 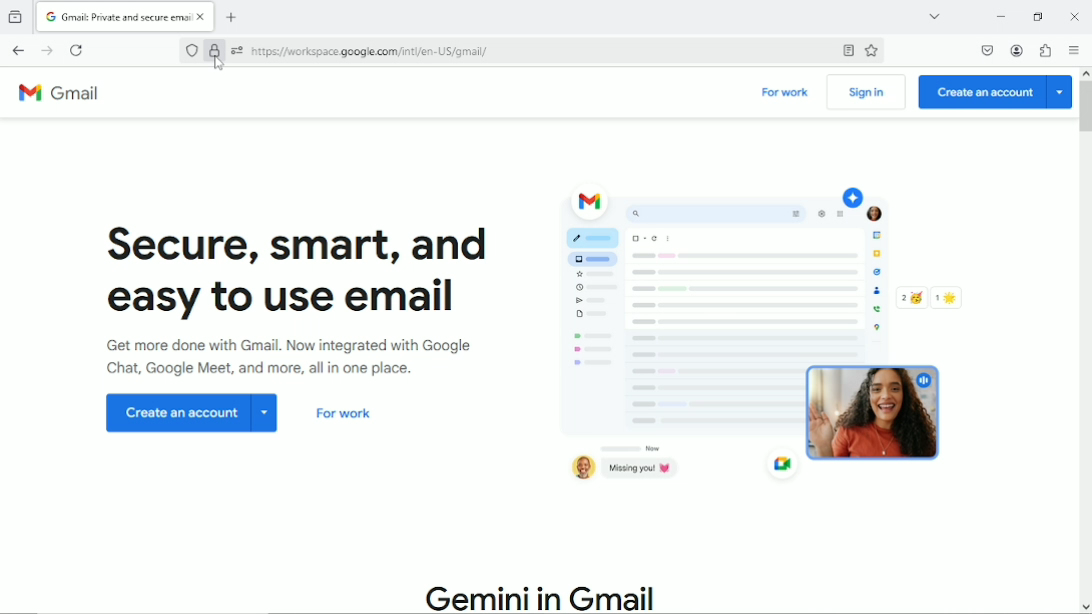 What do you see at coordinates (344, 417) in the screenshot?
I see `For work` at bounding box center [344, 417].